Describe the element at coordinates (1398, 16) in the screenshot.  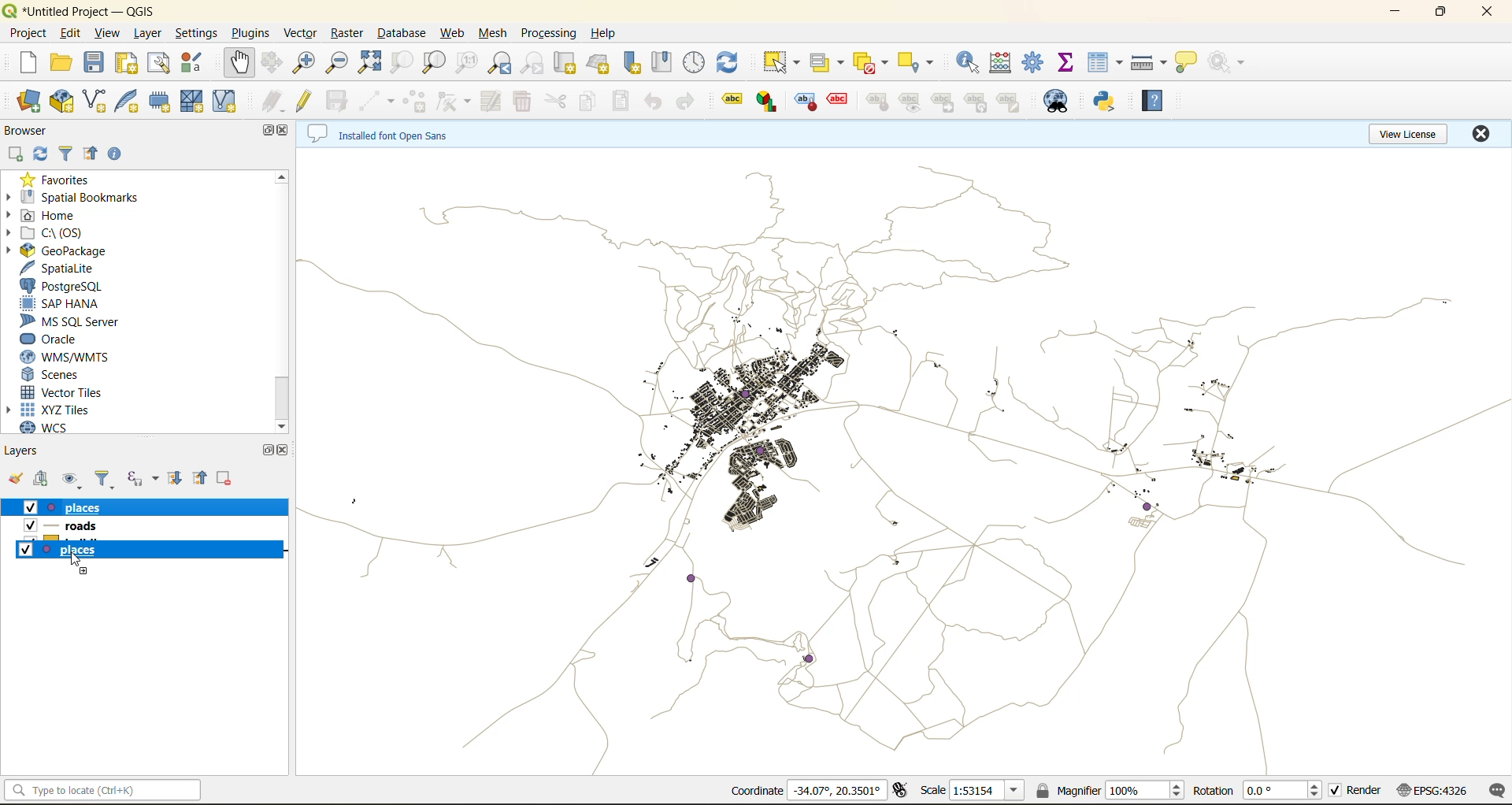
I see `minimize` at that location.